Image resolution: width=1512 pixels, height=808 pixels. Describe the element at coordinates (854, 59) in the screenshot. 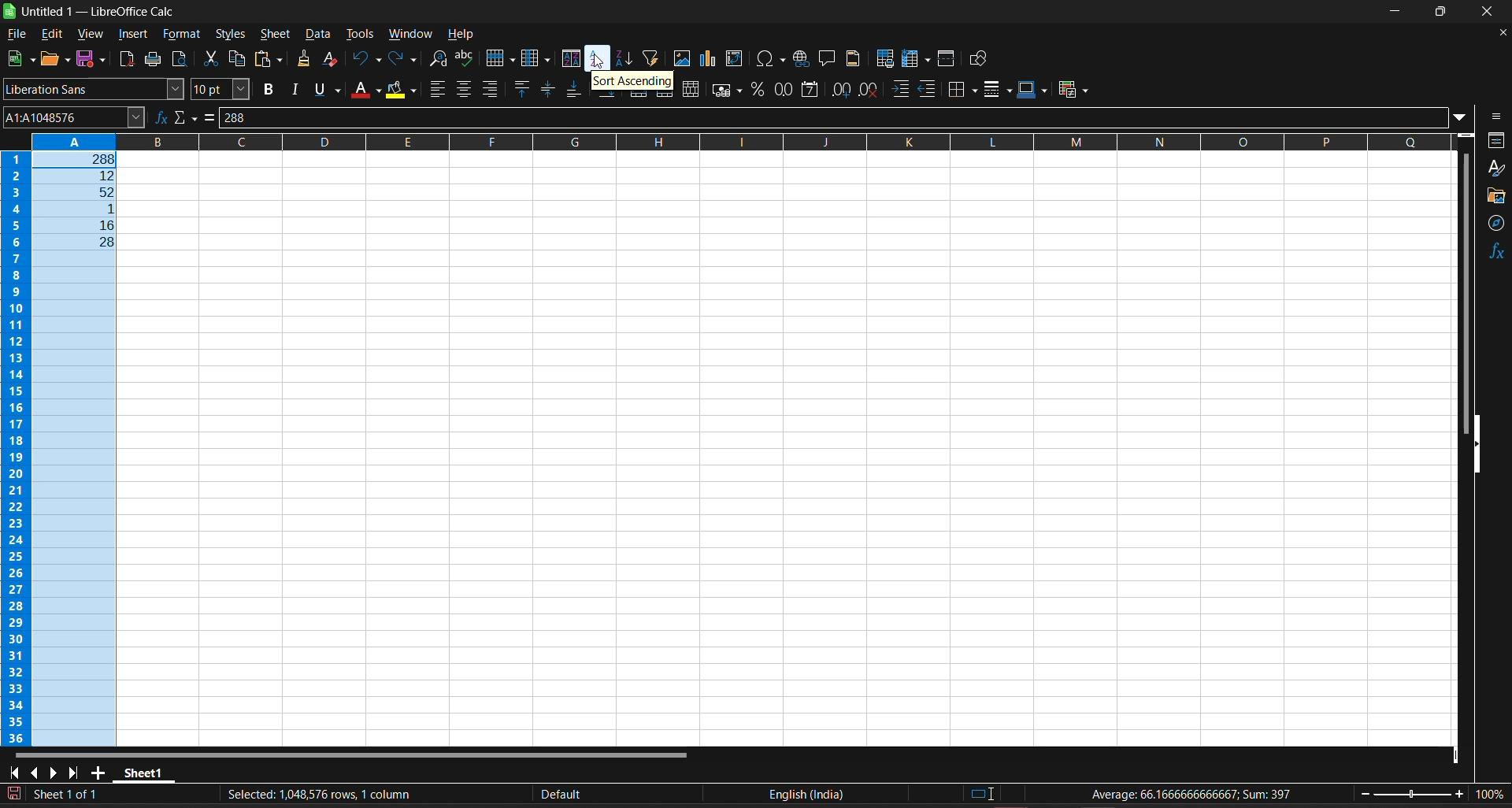

I see `headers and footers` at that location.